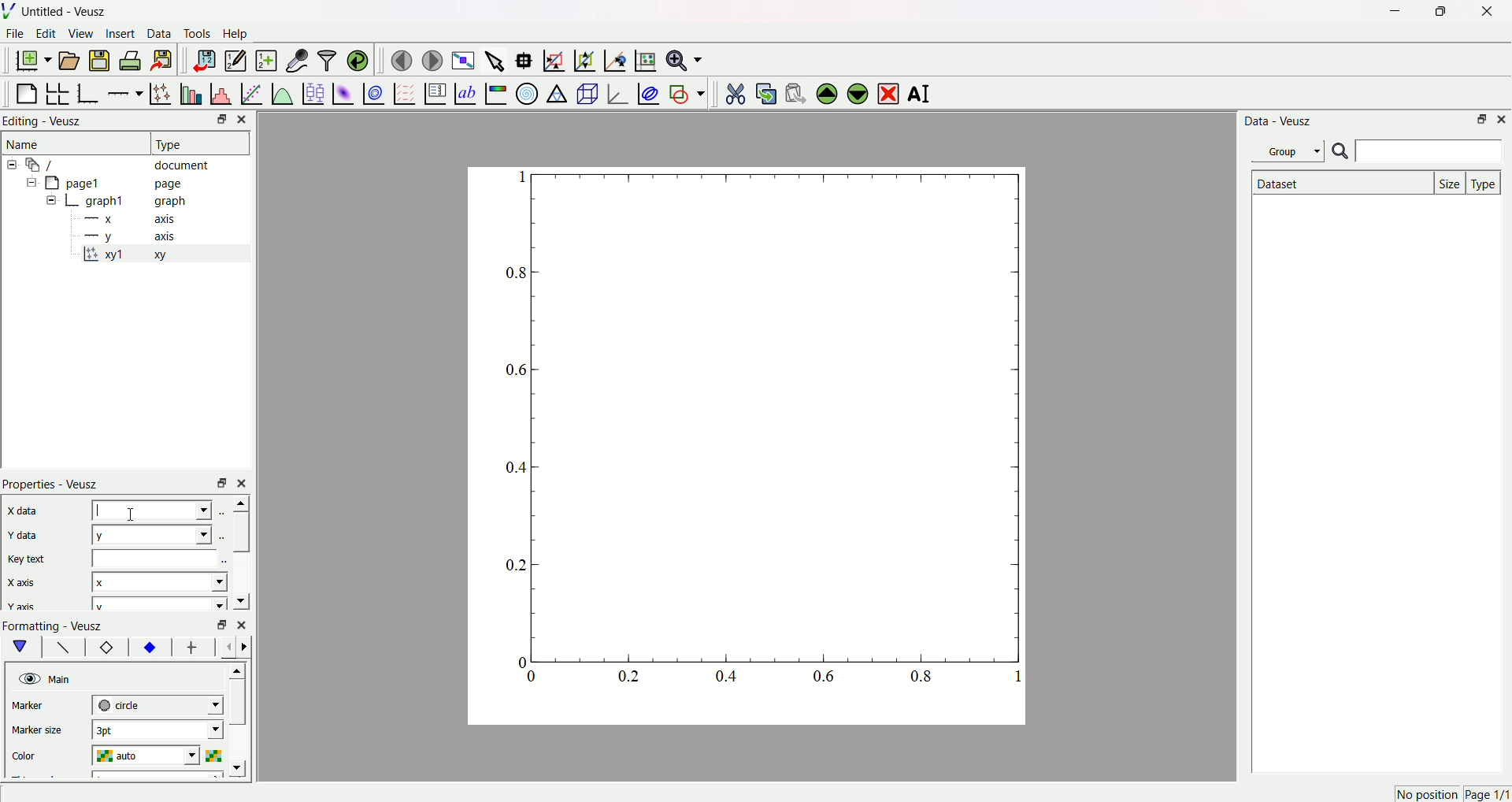  I want to click on histogram, so click(220, 91).